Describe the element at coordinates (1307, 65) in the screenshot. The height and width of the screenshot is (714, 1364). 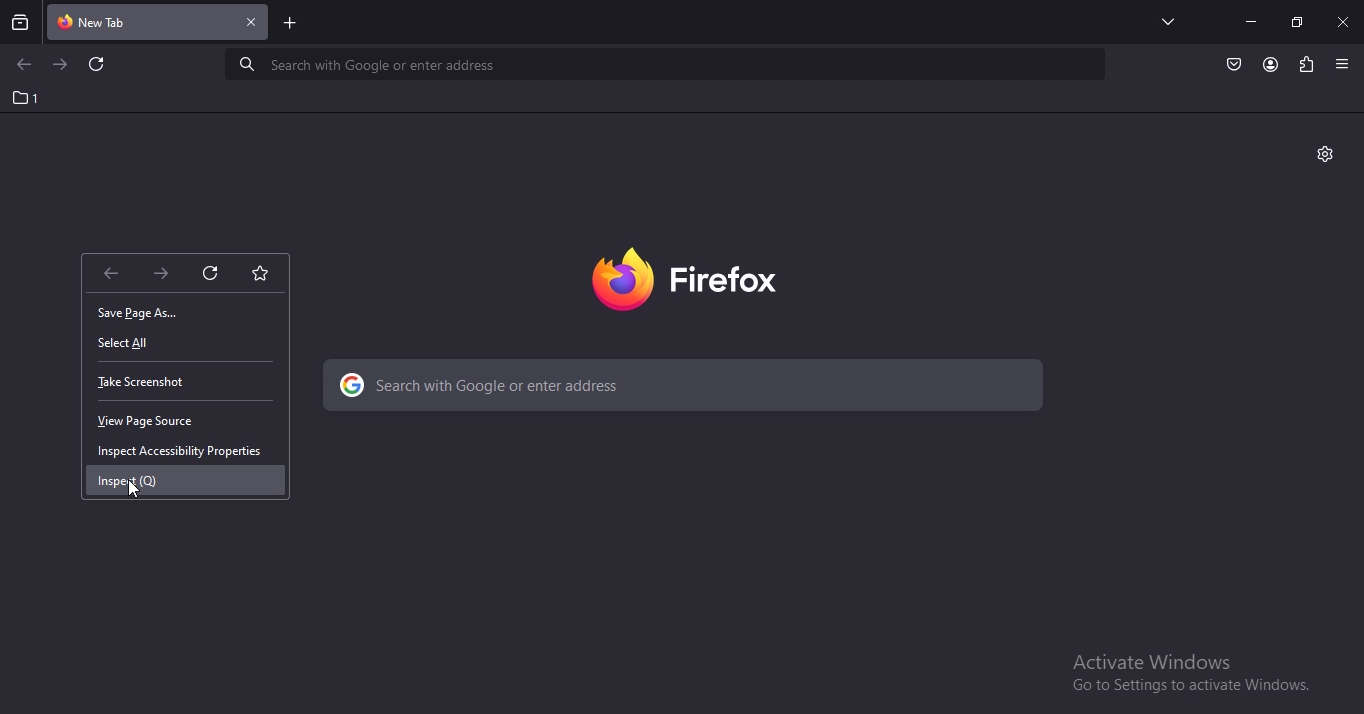
I see `extension` at that location.